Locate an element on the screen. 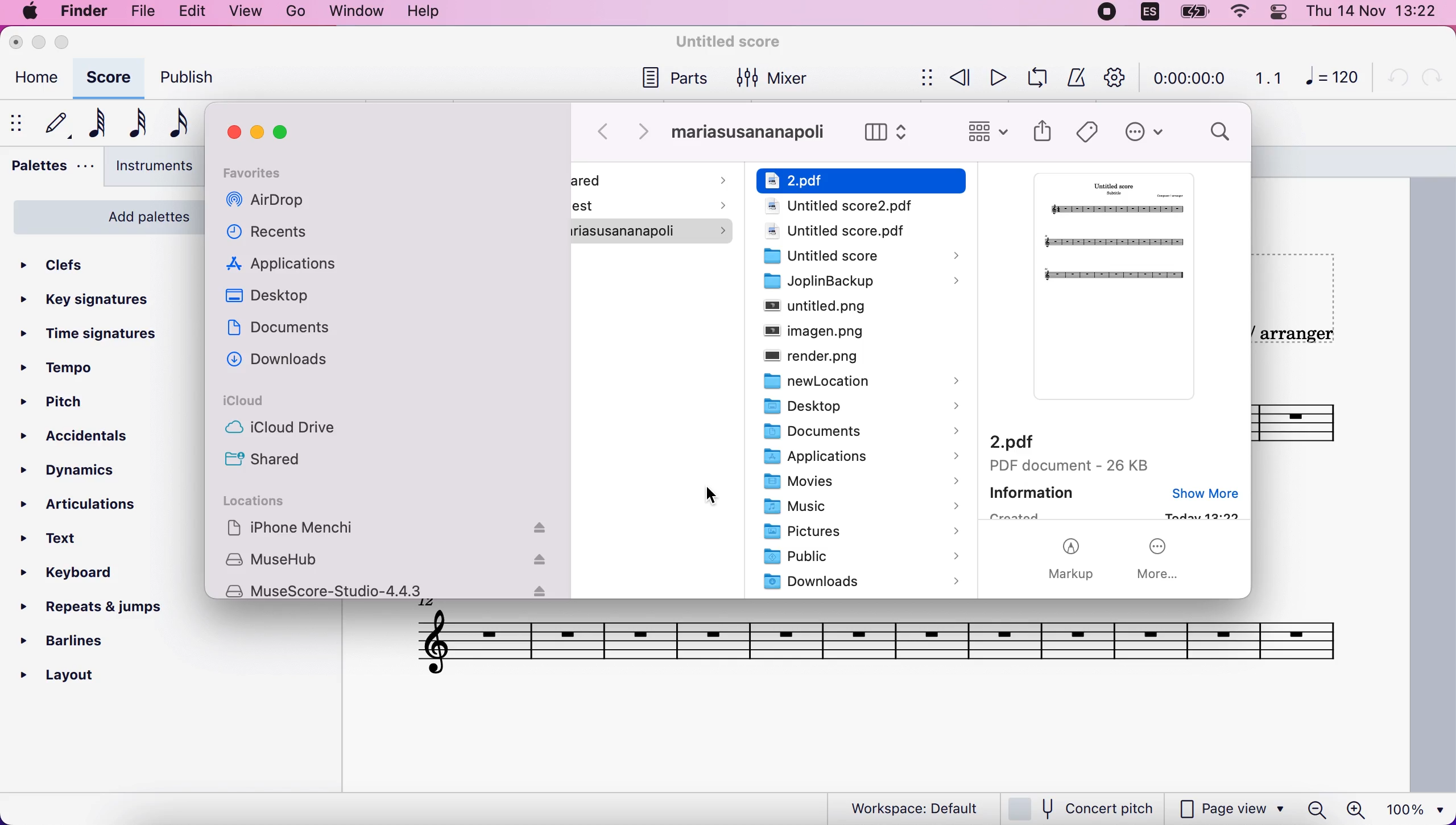 This screenshot has height=825, width=1456. keyboard is located at coordinates (77, 577).